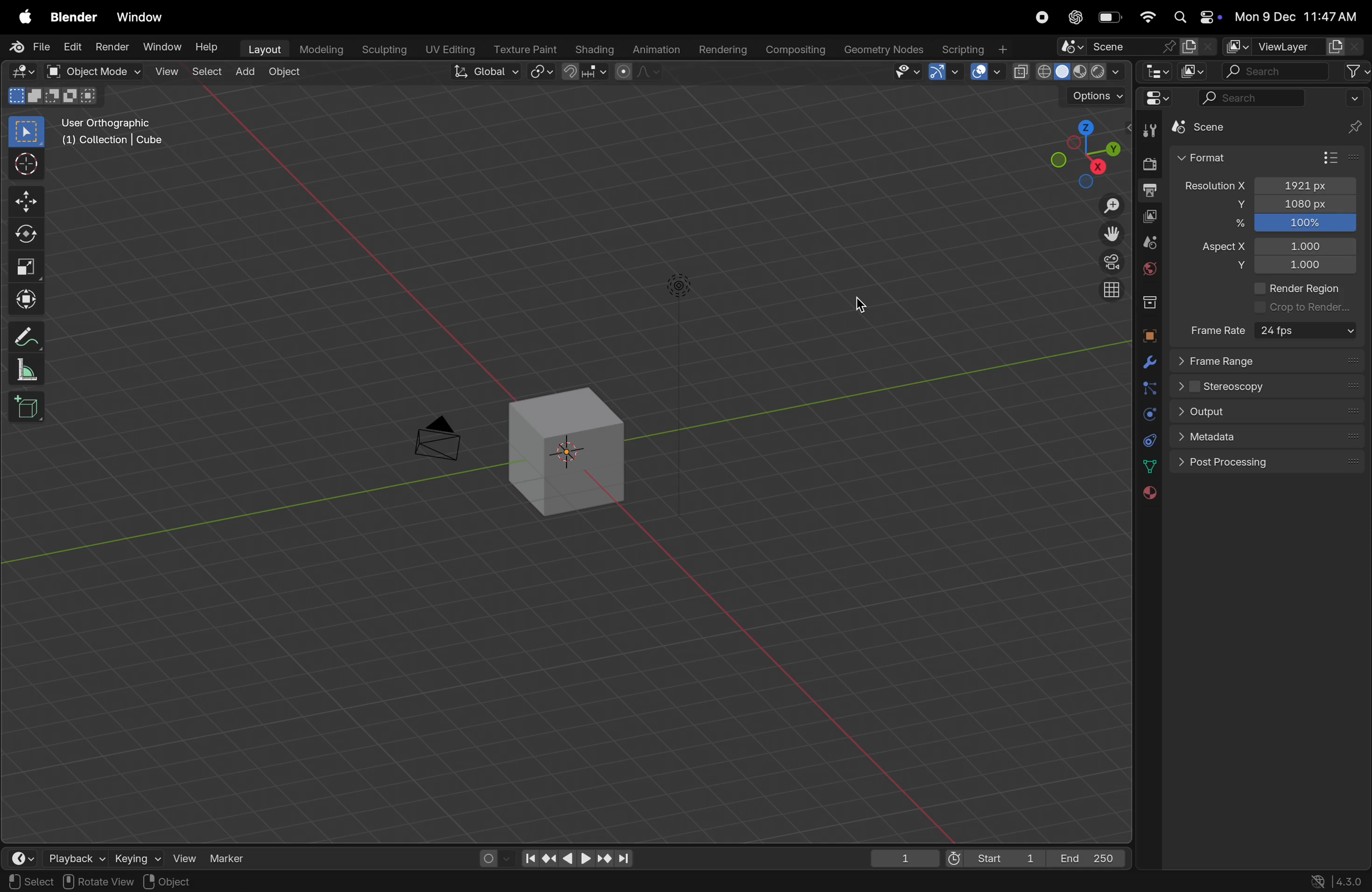 Image resolution: width=1372 pixels, height=892 pixels. Describe the element at coordinates (865, 305) in the screenshot. I see `cursor` at that location.